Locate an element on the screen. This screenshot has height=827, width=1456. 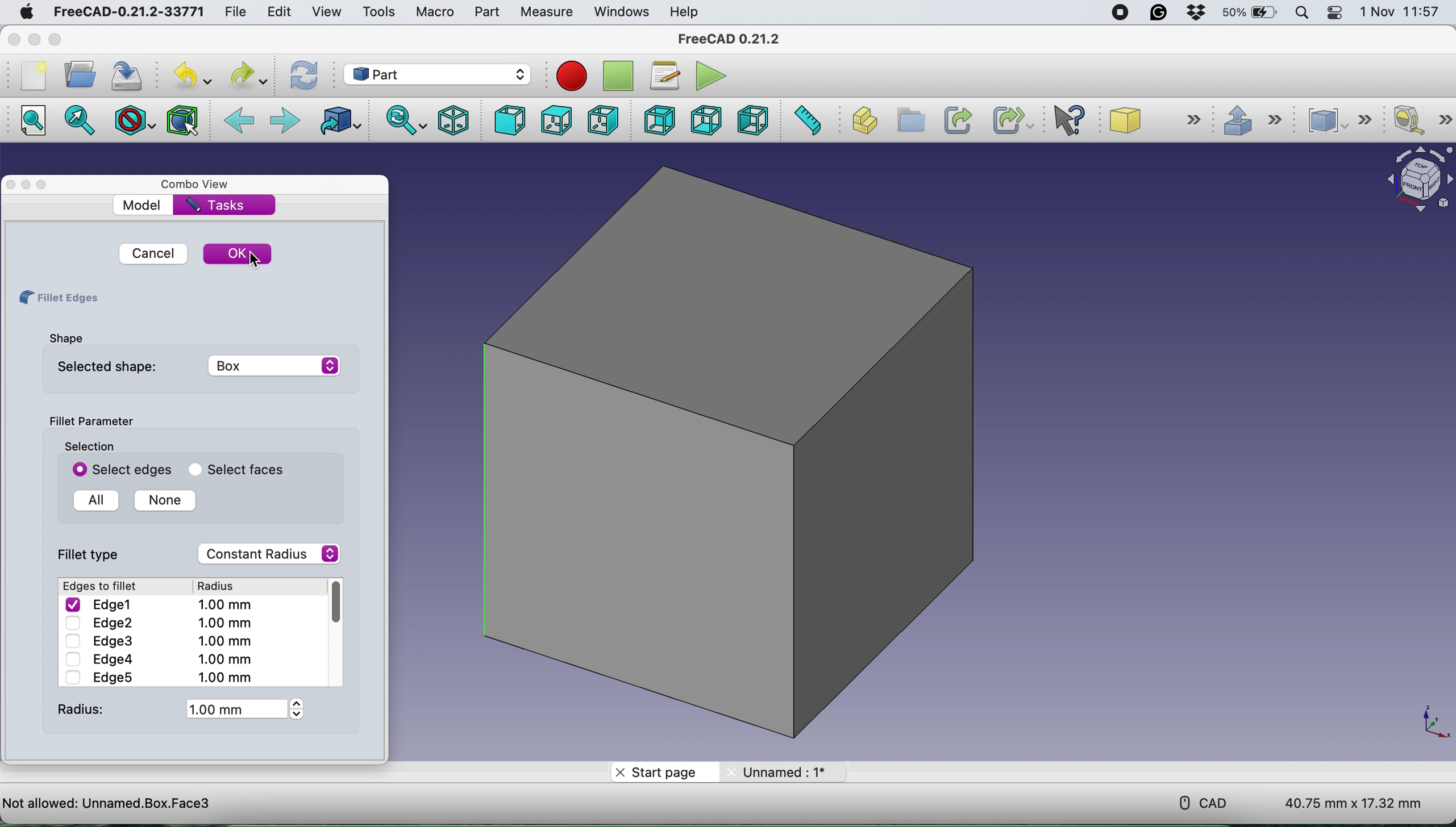
Combo View is located at coordinates (198, 184).